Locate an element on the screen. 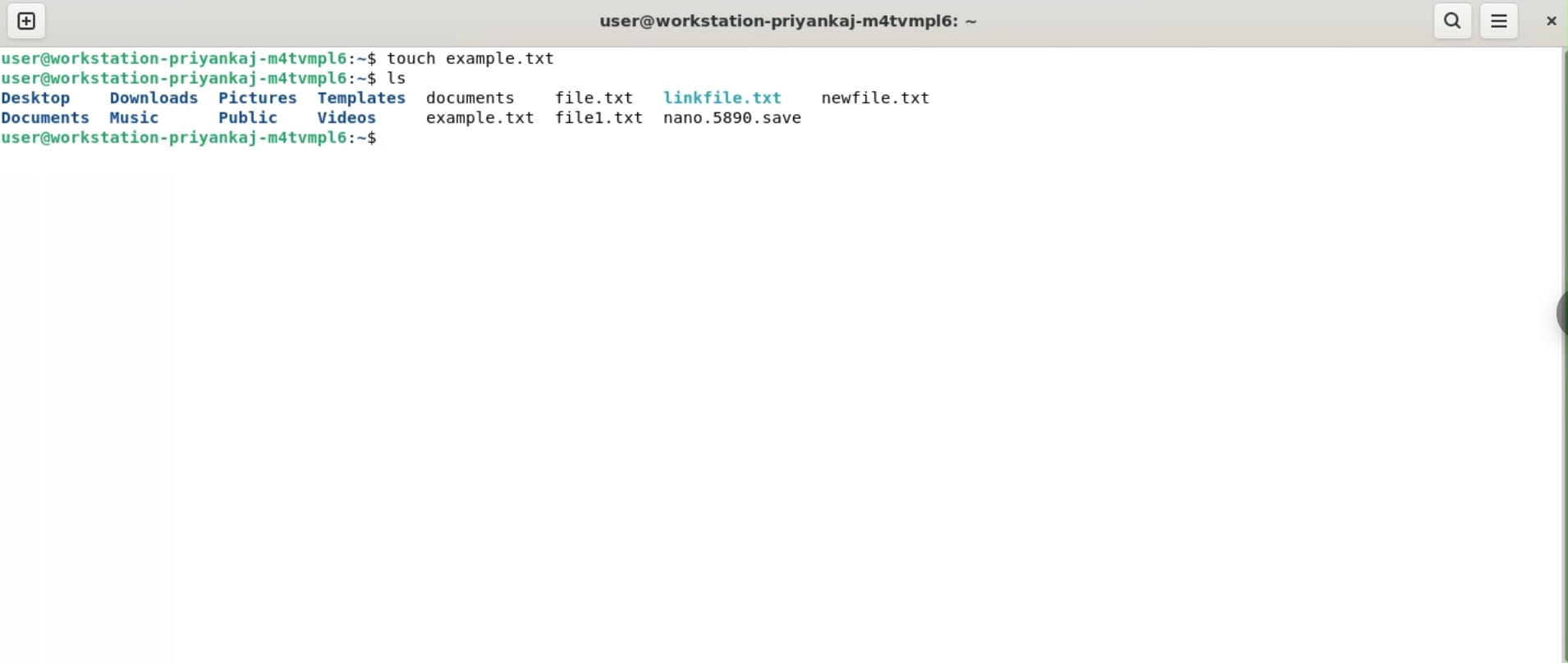 This screenshot has width=1568, height=663. documents is located at coordinates (52, 118).